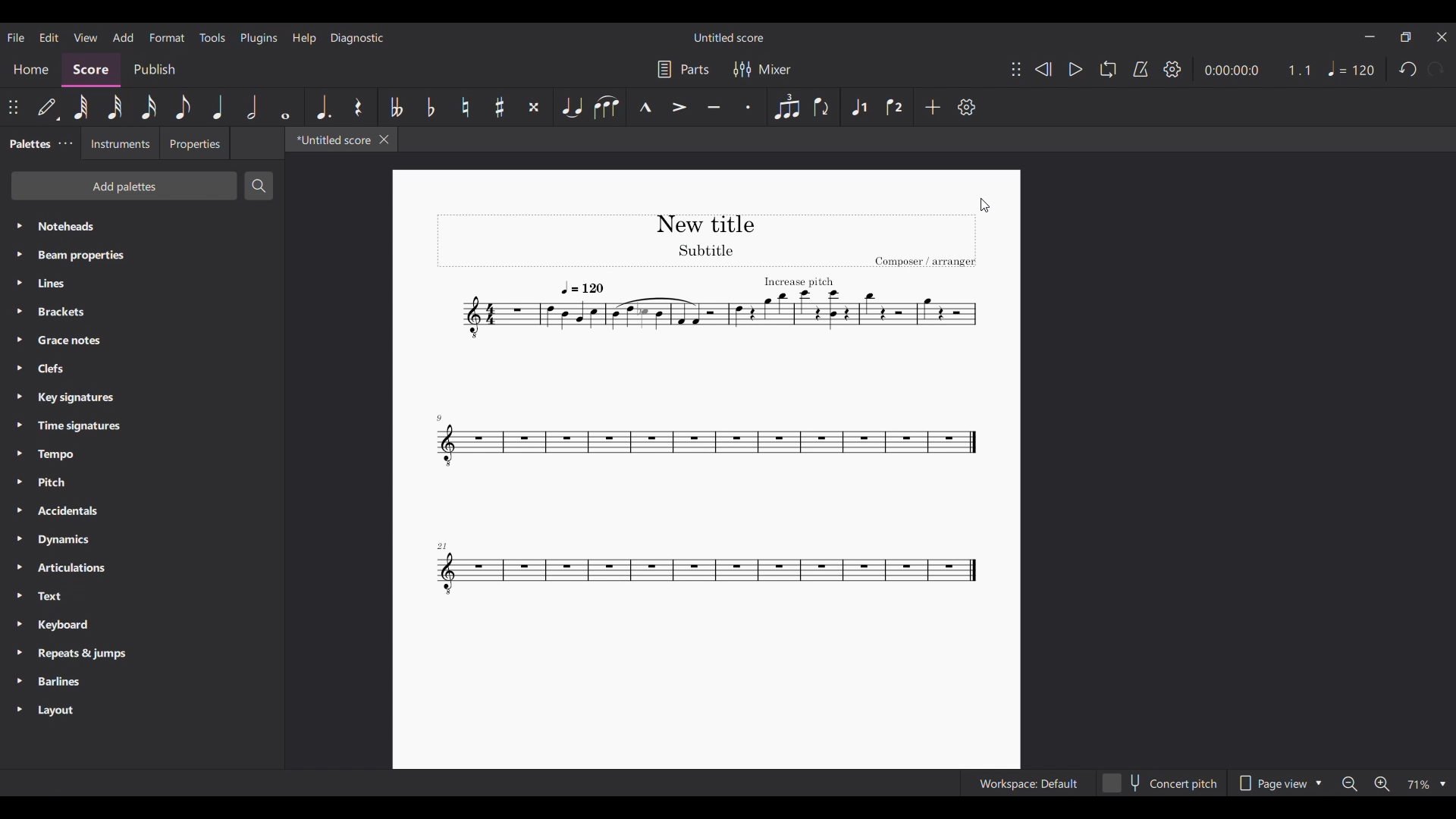  Describe the element at coordinates (91, 70) in the screenshot. I see `Score, current section highlighted` at that location.